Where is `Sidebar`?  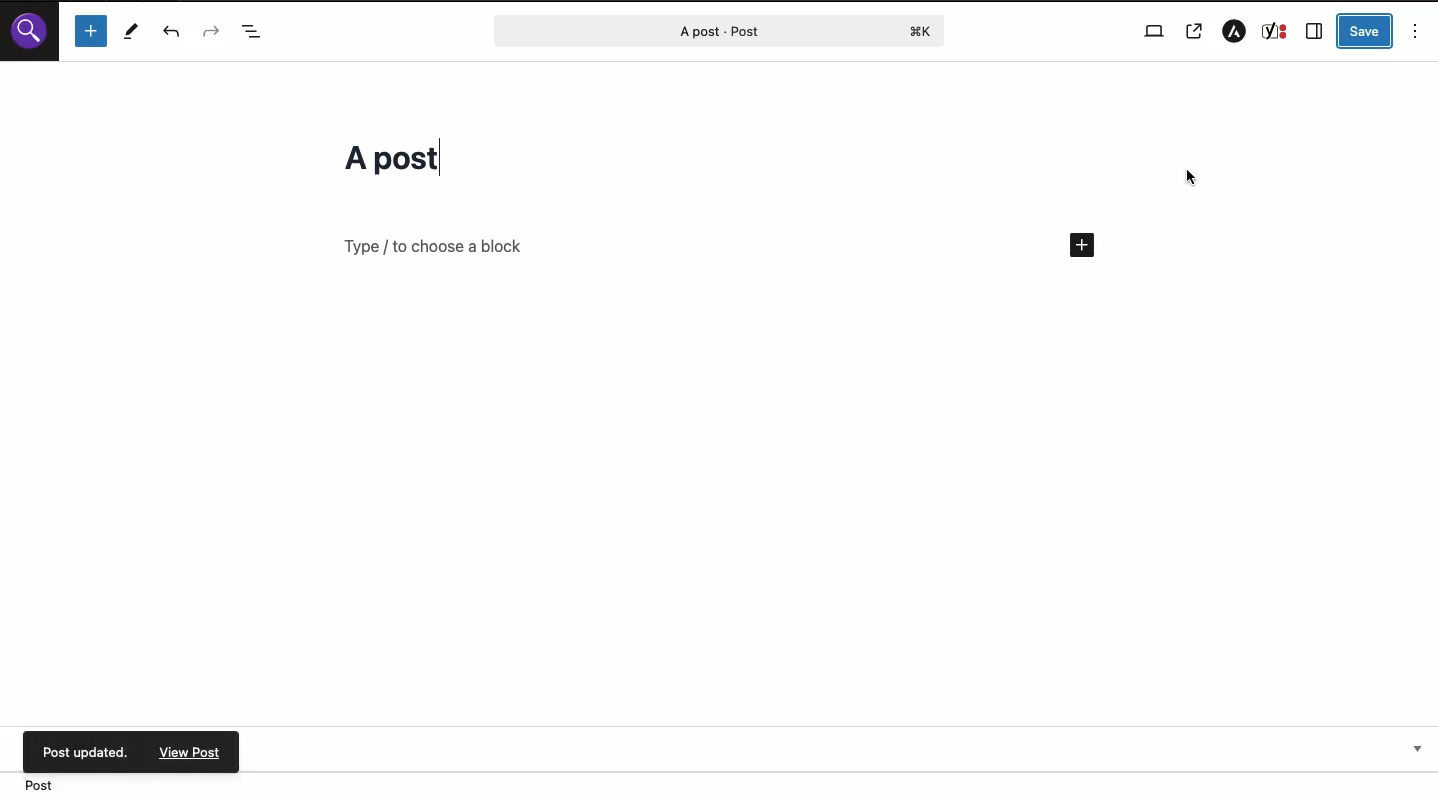 Sidebar is located at coordinates (1315, 31).